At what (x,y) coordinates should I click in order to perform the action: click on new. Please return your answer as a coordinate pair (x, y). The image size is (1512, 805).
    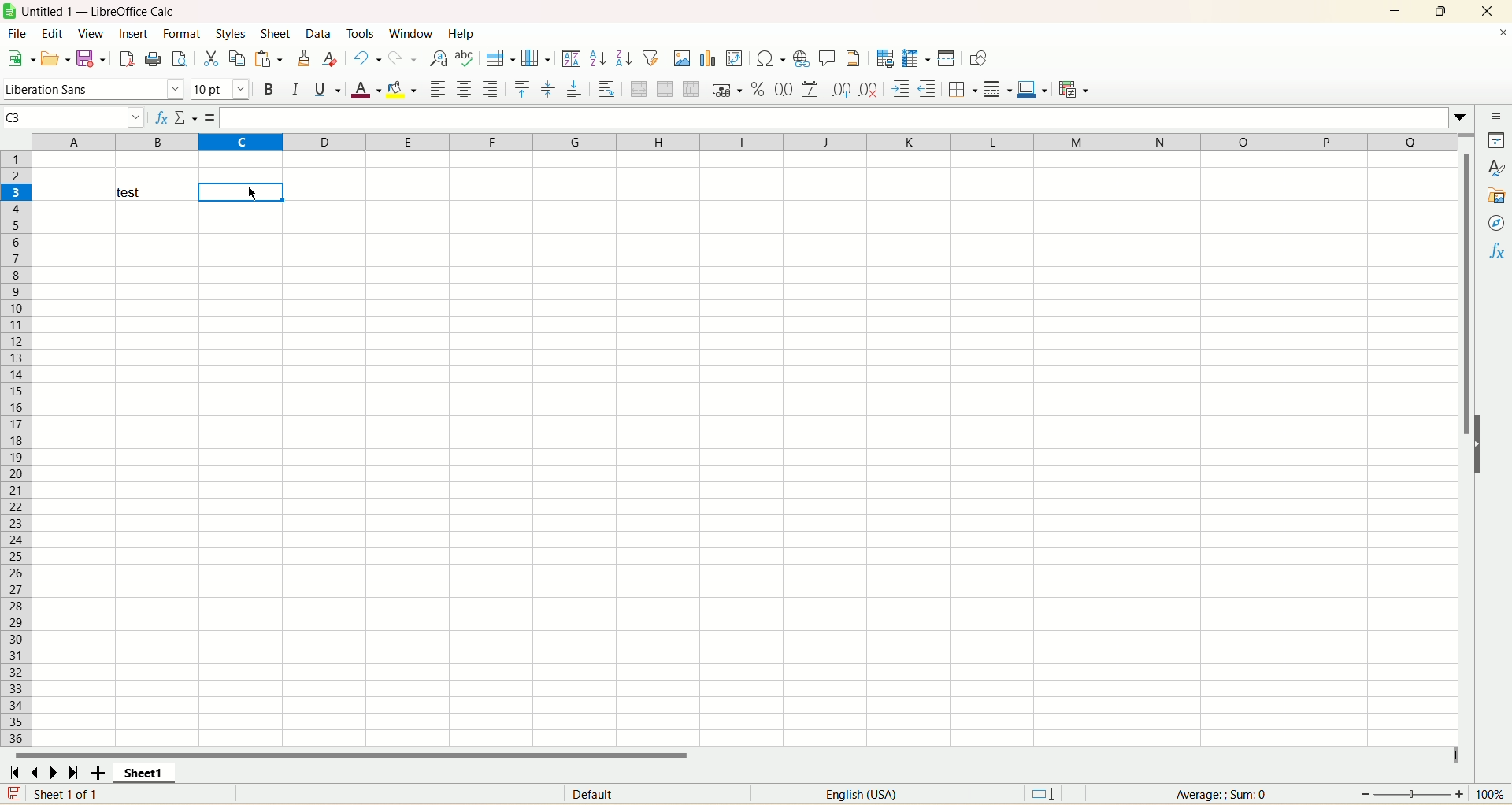
    Looking at the image, I should click on (20, 58).